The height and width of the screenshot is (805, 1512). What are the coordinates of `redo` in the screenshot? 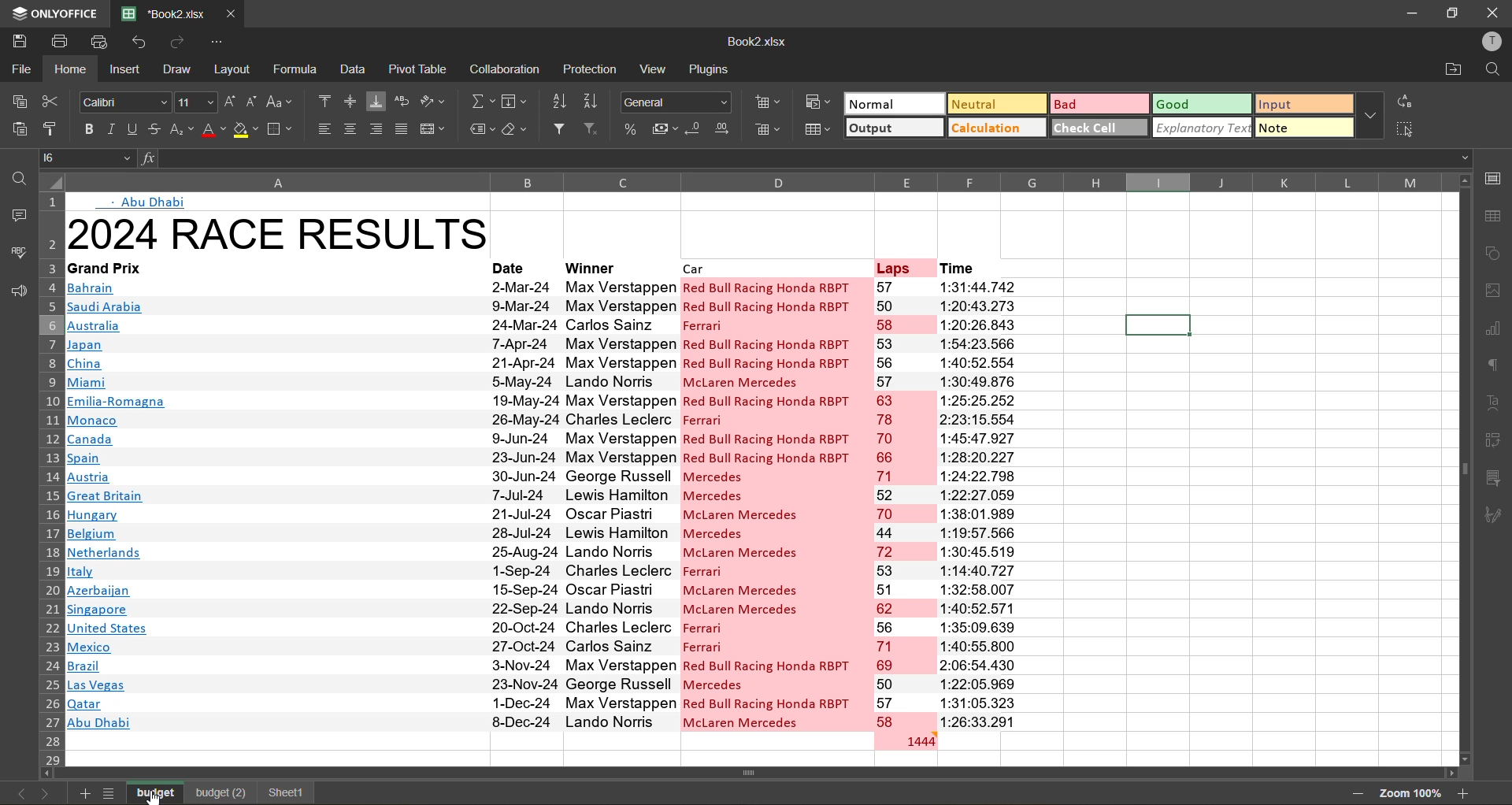 It's located at (178, 41).